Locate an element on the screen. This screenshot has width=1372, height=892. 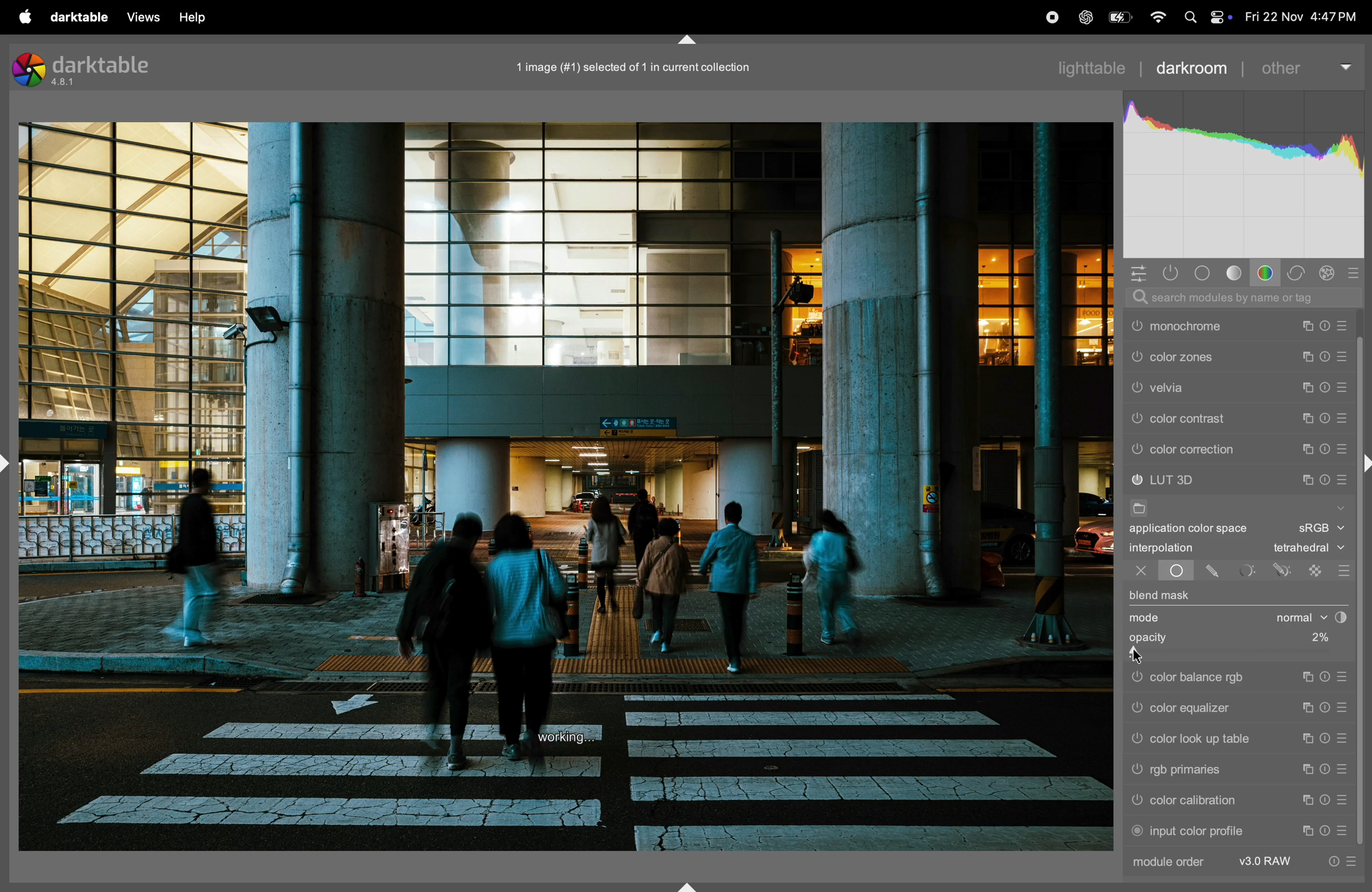
tetraheral is located at coordinates (1305, 549).